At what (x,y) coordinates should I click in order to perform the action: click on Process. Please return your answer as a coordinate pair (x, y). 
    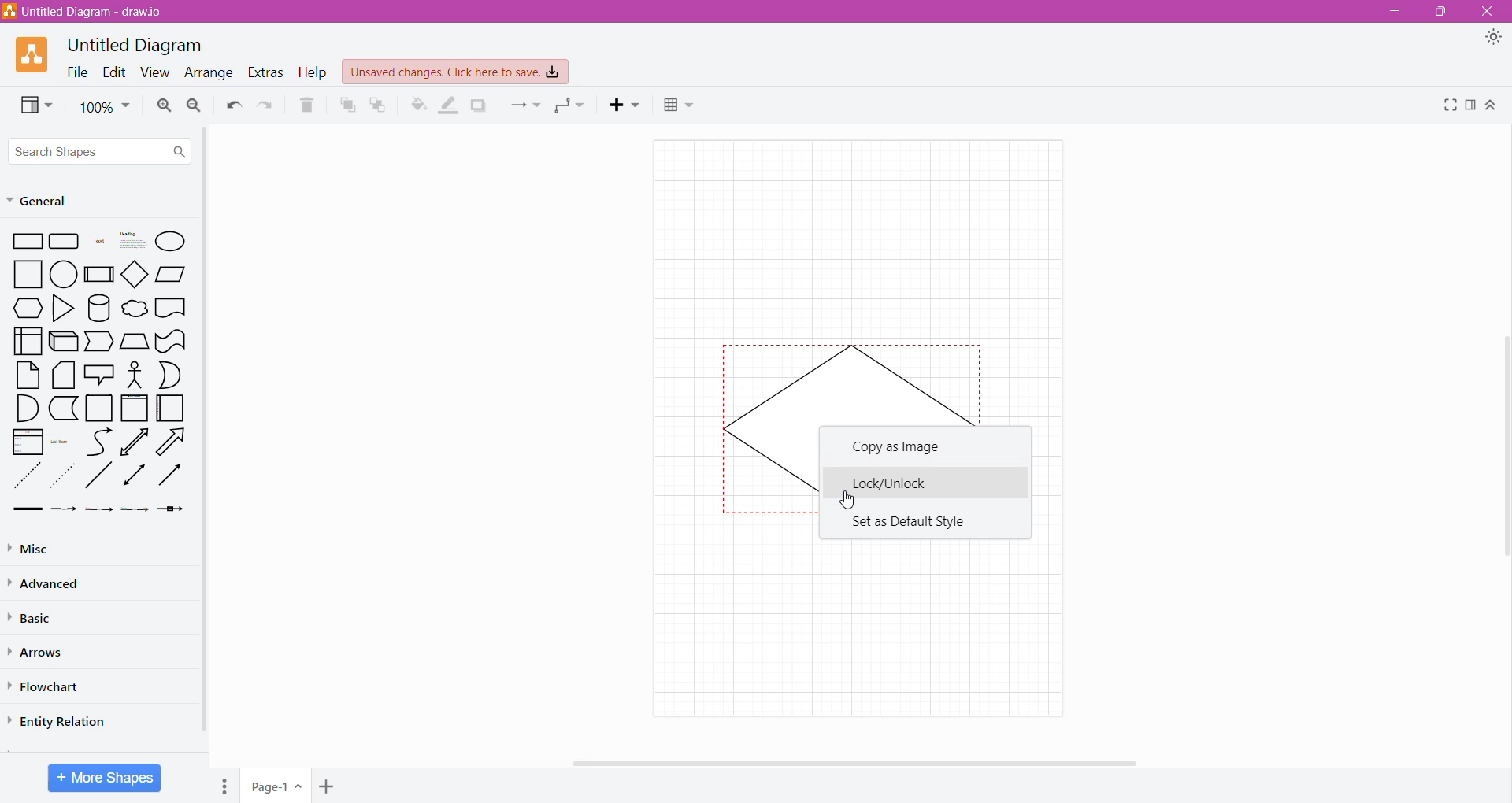
    Looking at the image, I should click on (100, 273).